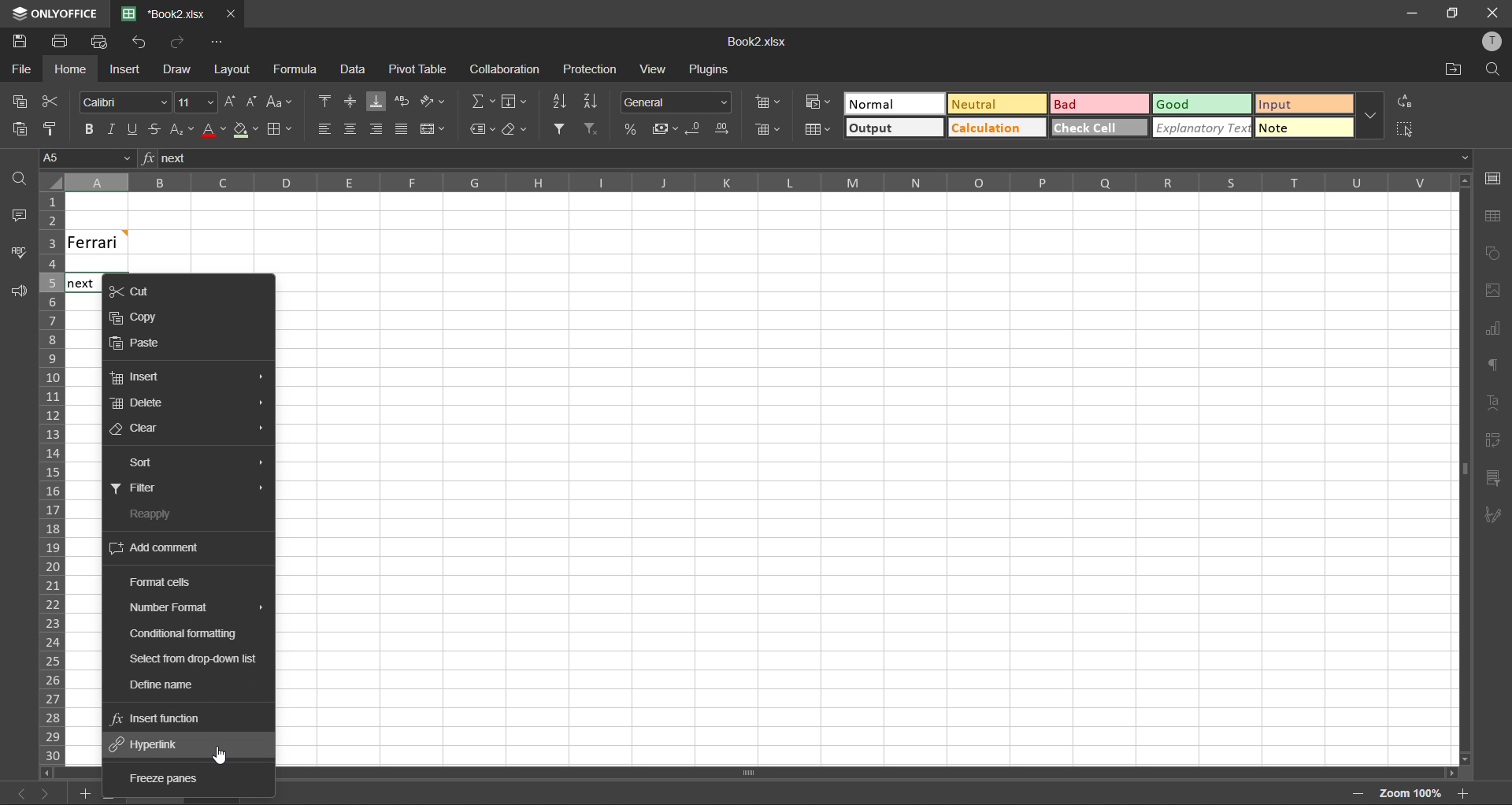 The width and height of the screenshot is (1512, 805). Describe the element at coordinates (558, 128) in the screenshot. I see `filter` at that location.